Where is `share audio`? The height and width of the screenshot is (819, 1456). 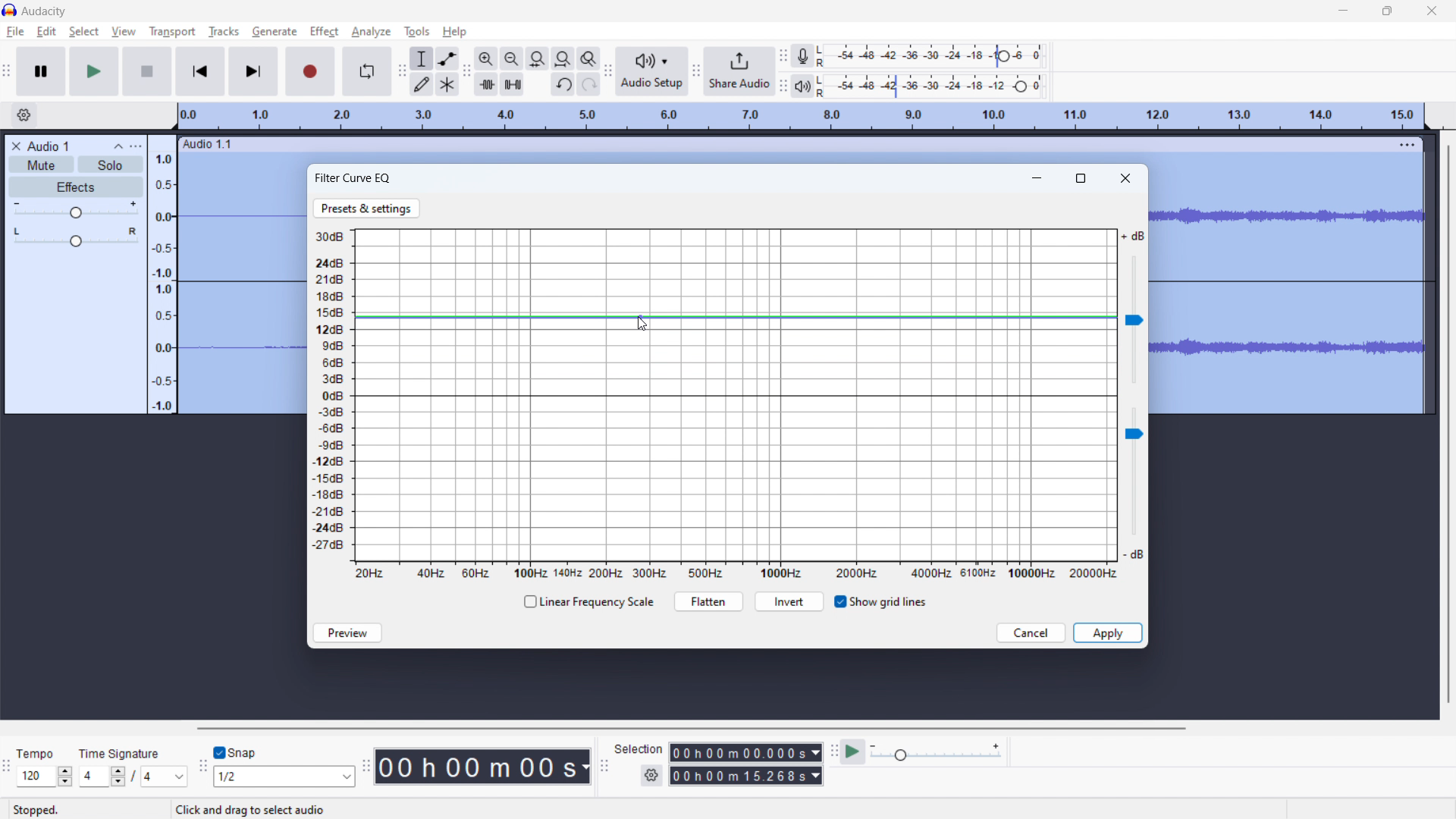
share audio is located at coordinates (740, 71).